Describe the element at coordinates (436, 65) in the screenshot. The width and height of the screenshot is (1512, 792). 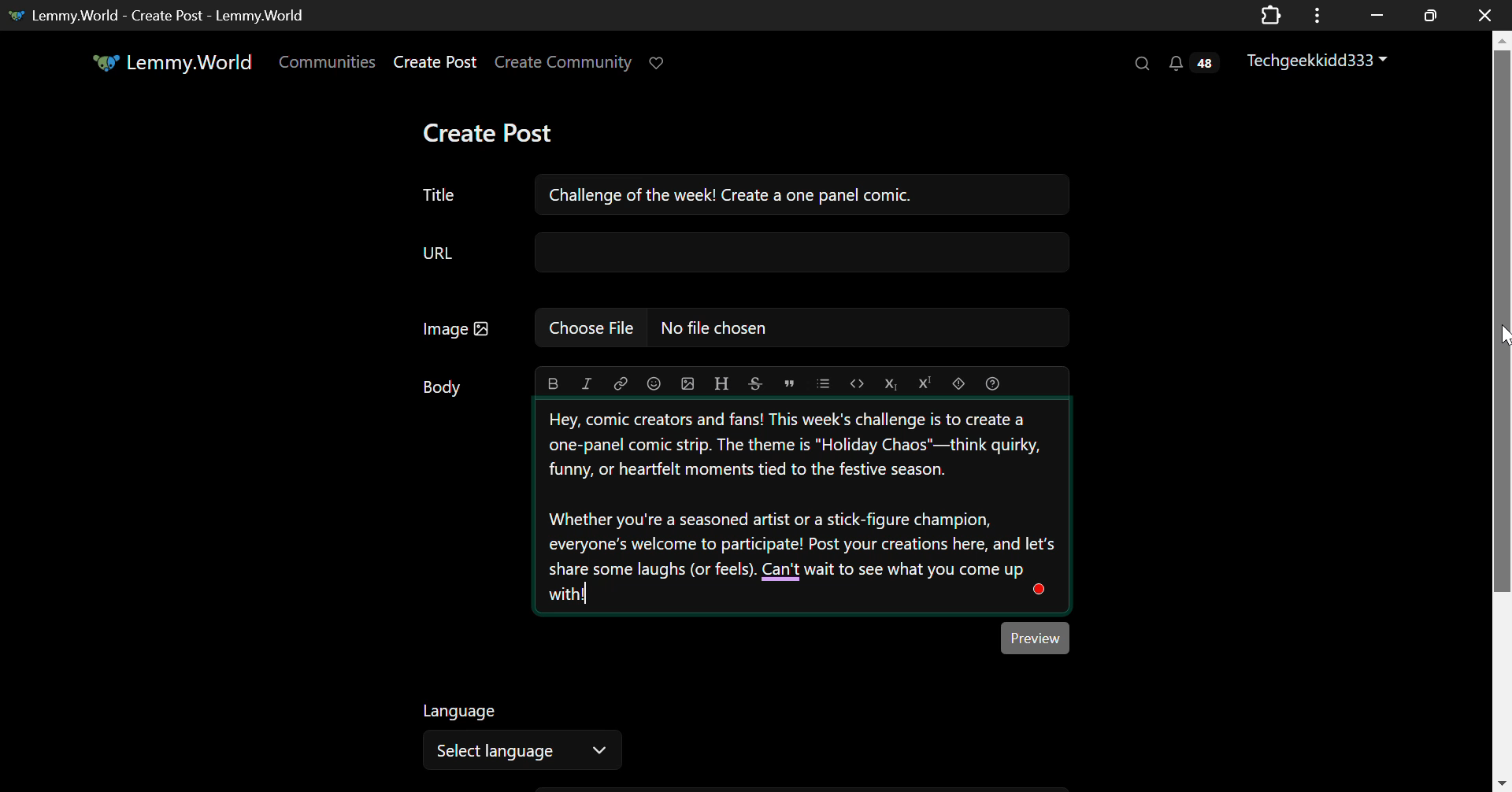
I see `Create Post` at that location.